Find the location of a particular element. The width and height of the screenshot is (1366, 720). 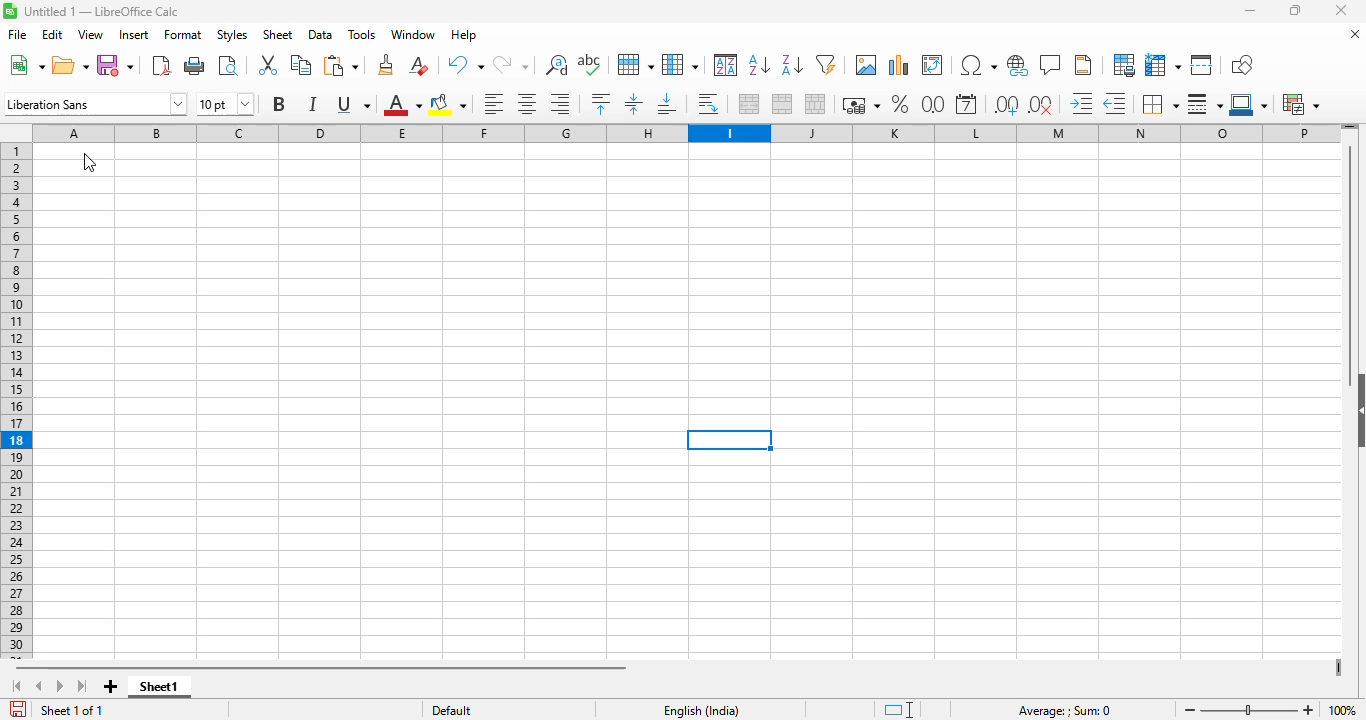

window is located at coordinates (414, 34).